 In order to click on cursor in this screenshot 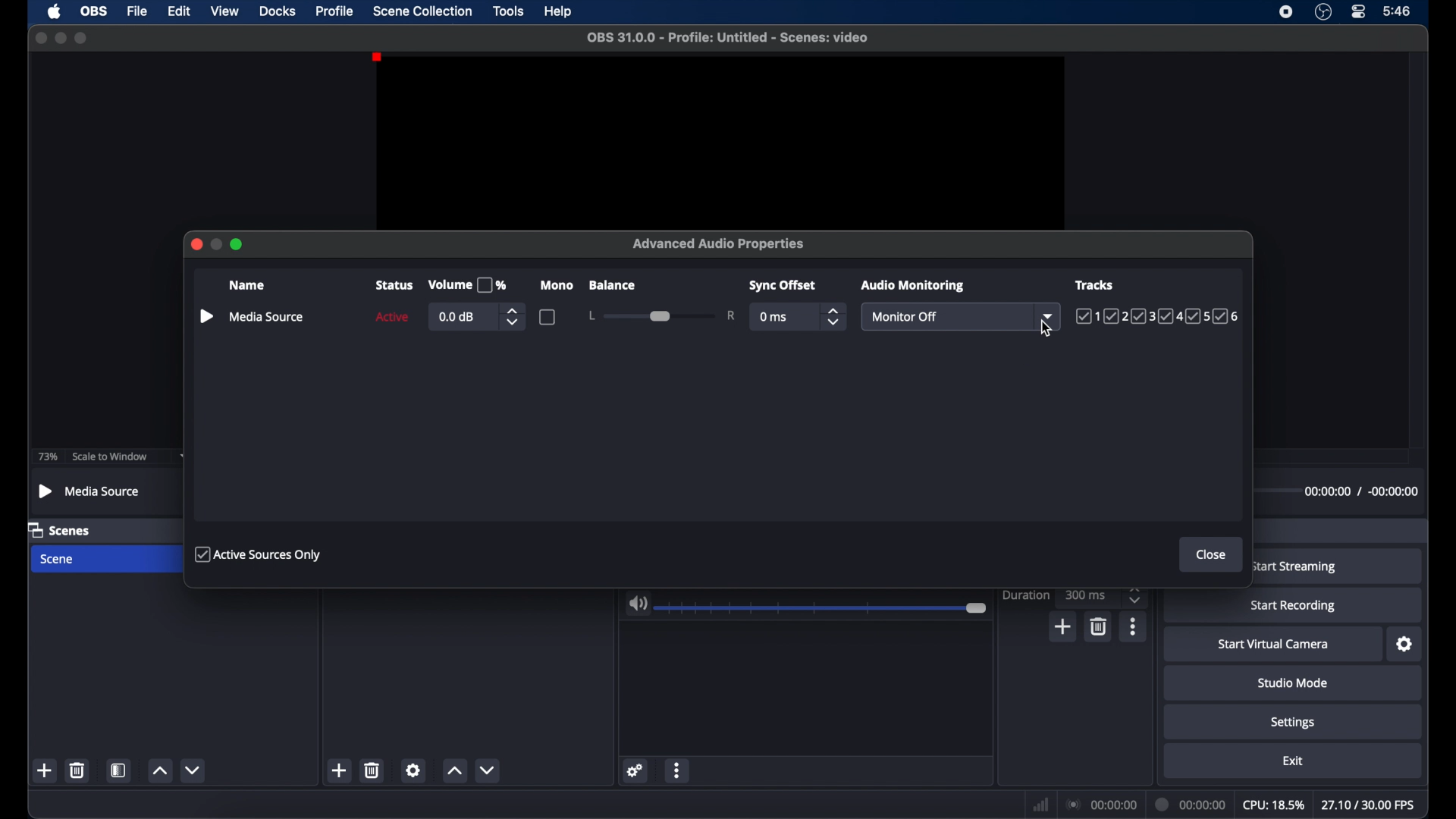, I will do `click(1046, 330)`.